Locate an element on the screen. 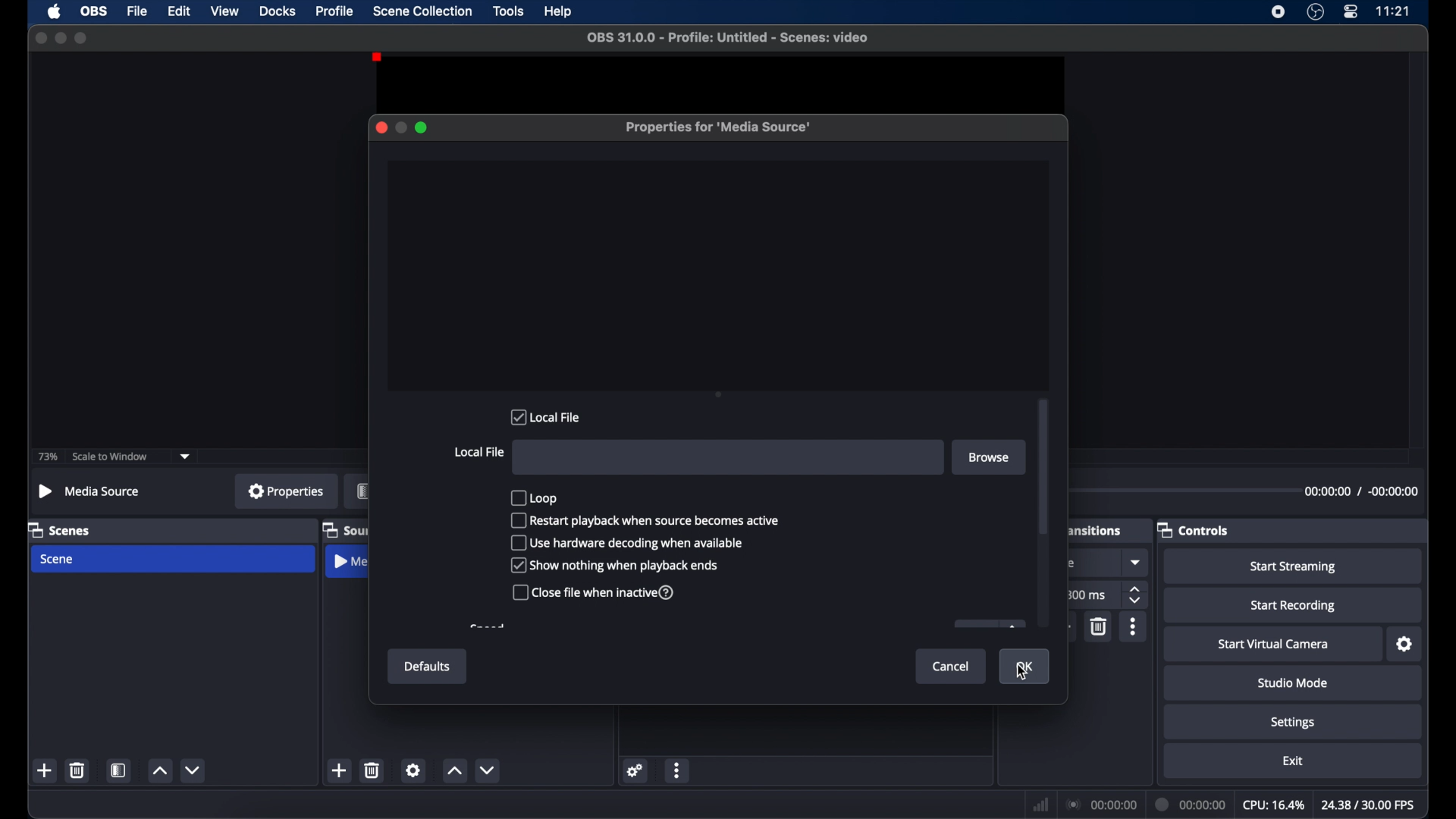 The image size is (1456, 819). file is located at coordinates (136, 12).